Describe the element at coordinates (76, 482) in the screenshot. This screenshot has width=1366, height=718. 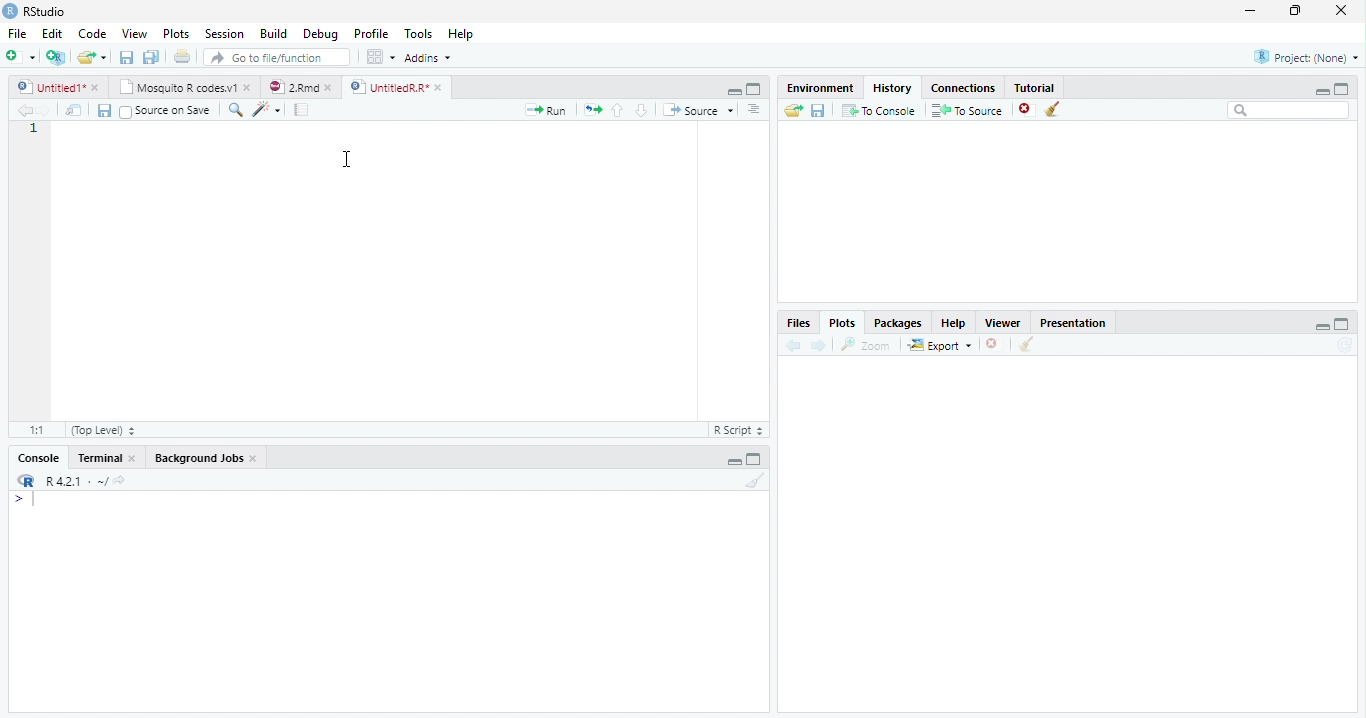
I see `R 4.2.1 . ~ /` at that location.